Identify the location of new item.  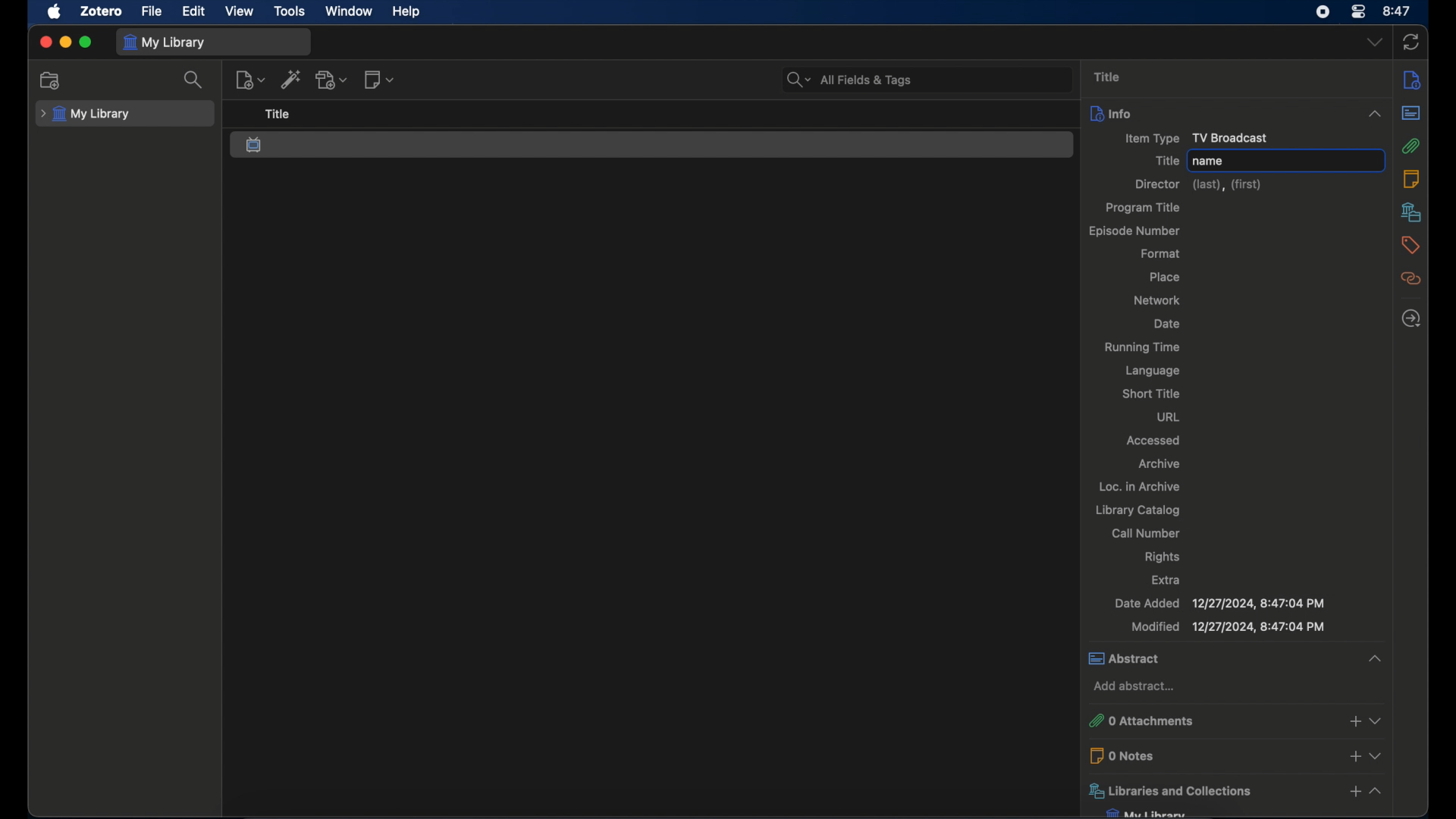
(250, 79).